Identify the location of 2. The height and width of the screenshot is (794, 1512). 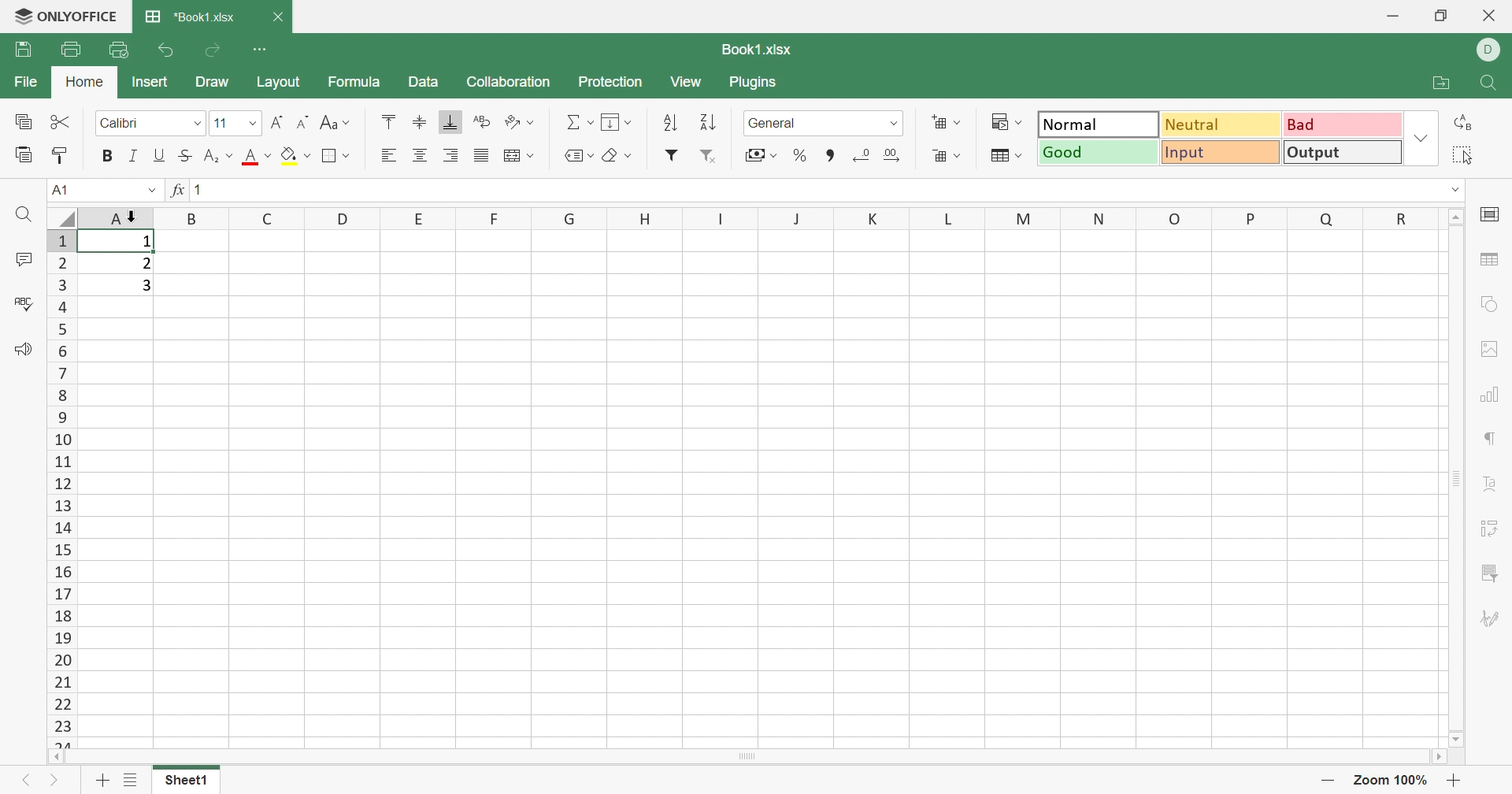
(146, 264).